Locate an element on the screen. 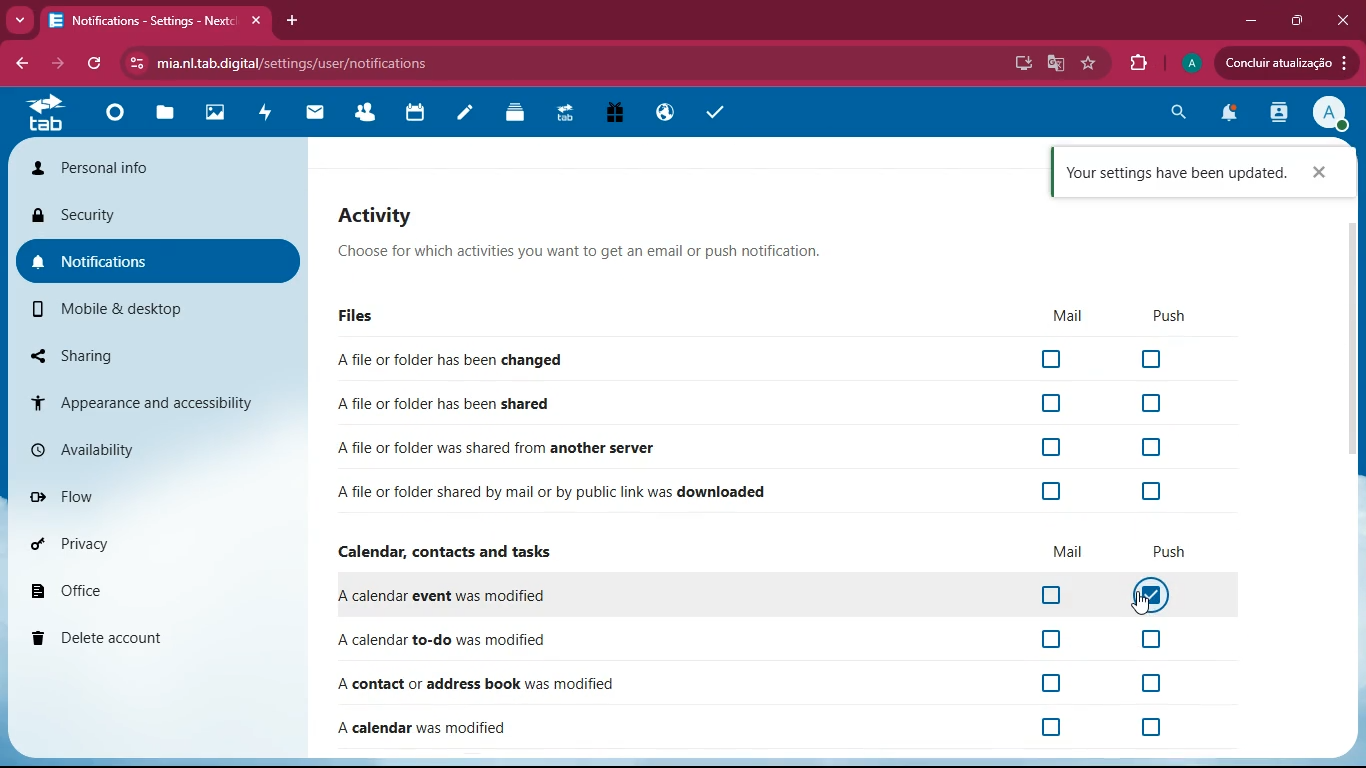  close is located at coordinates (1343, 21).